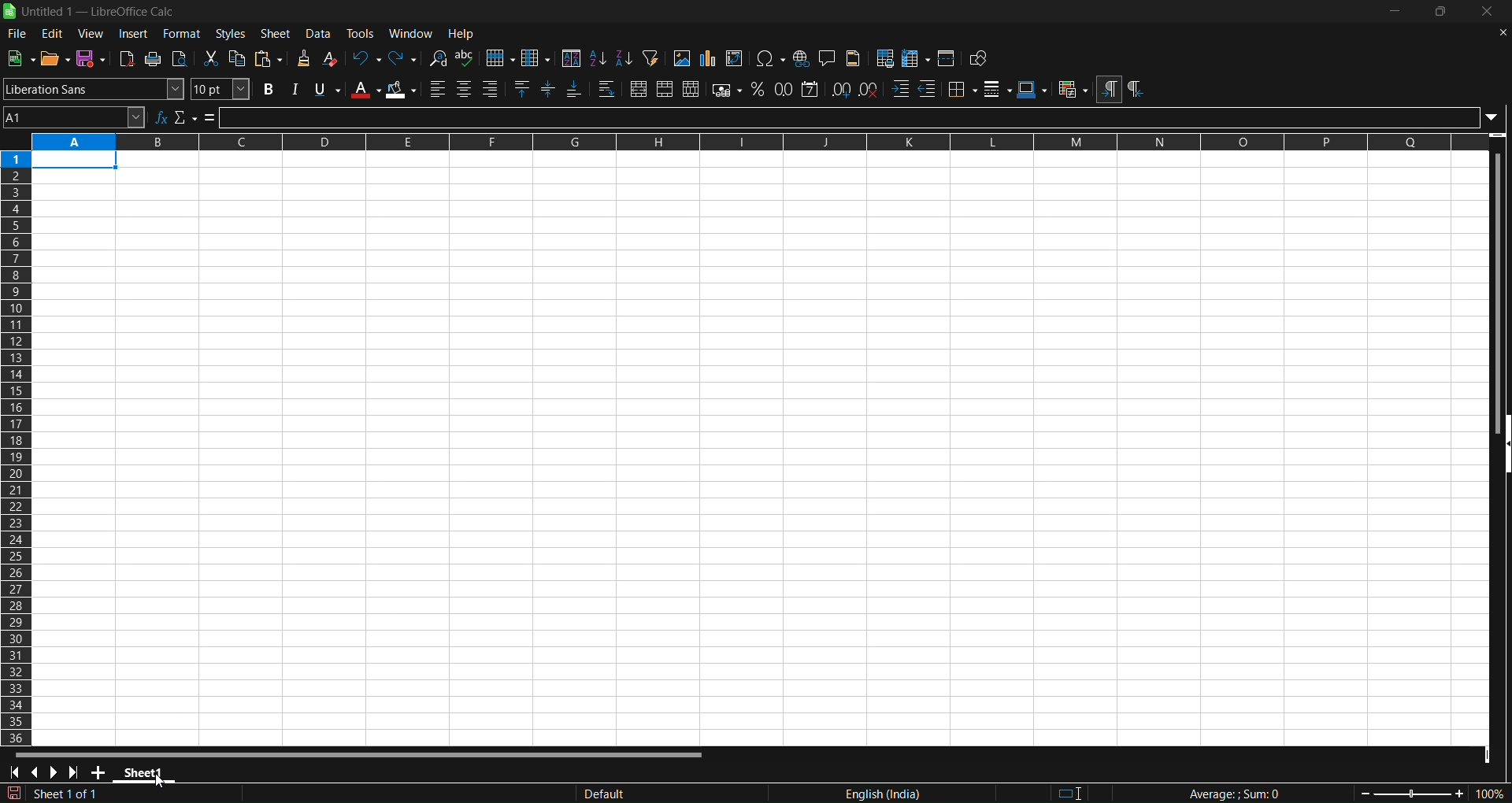  Describe the element at coordinates (161, 117) in the screenshot. I see `function wizard` at that location.